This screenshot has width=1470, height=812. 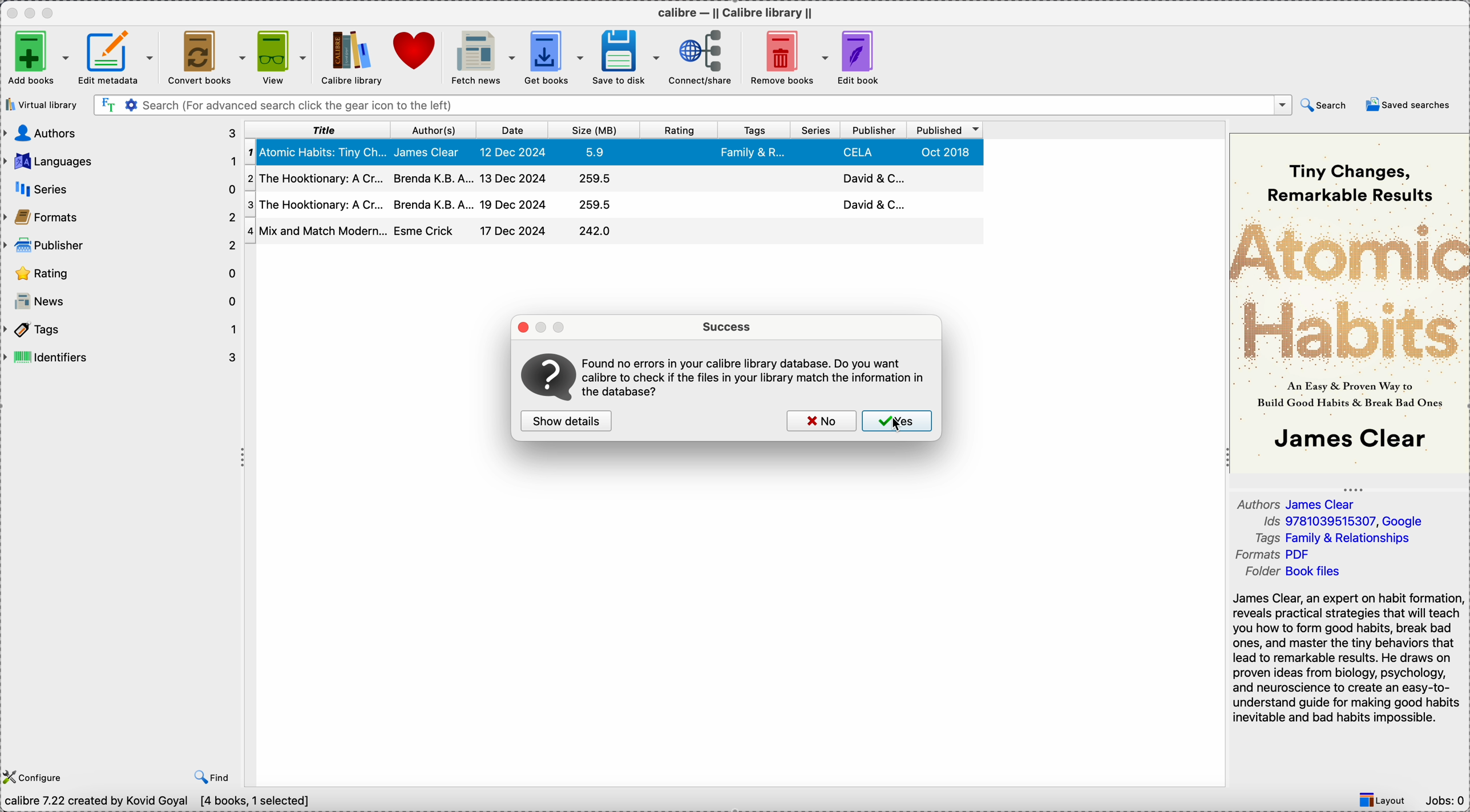 What do you see at coordinates (863, 58) in the screenshot?
I see `edit book` at bounding box center [863, 58].